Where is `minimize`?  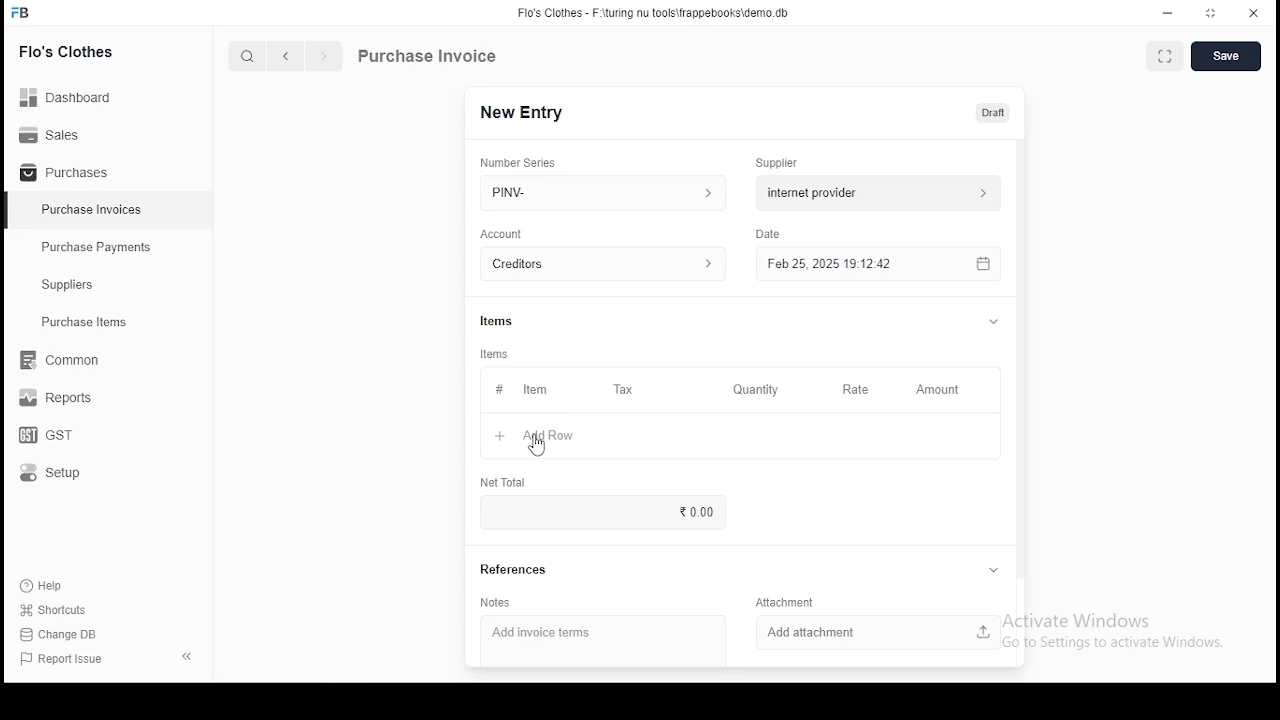 minimize is located at coordinates (1170, 12).